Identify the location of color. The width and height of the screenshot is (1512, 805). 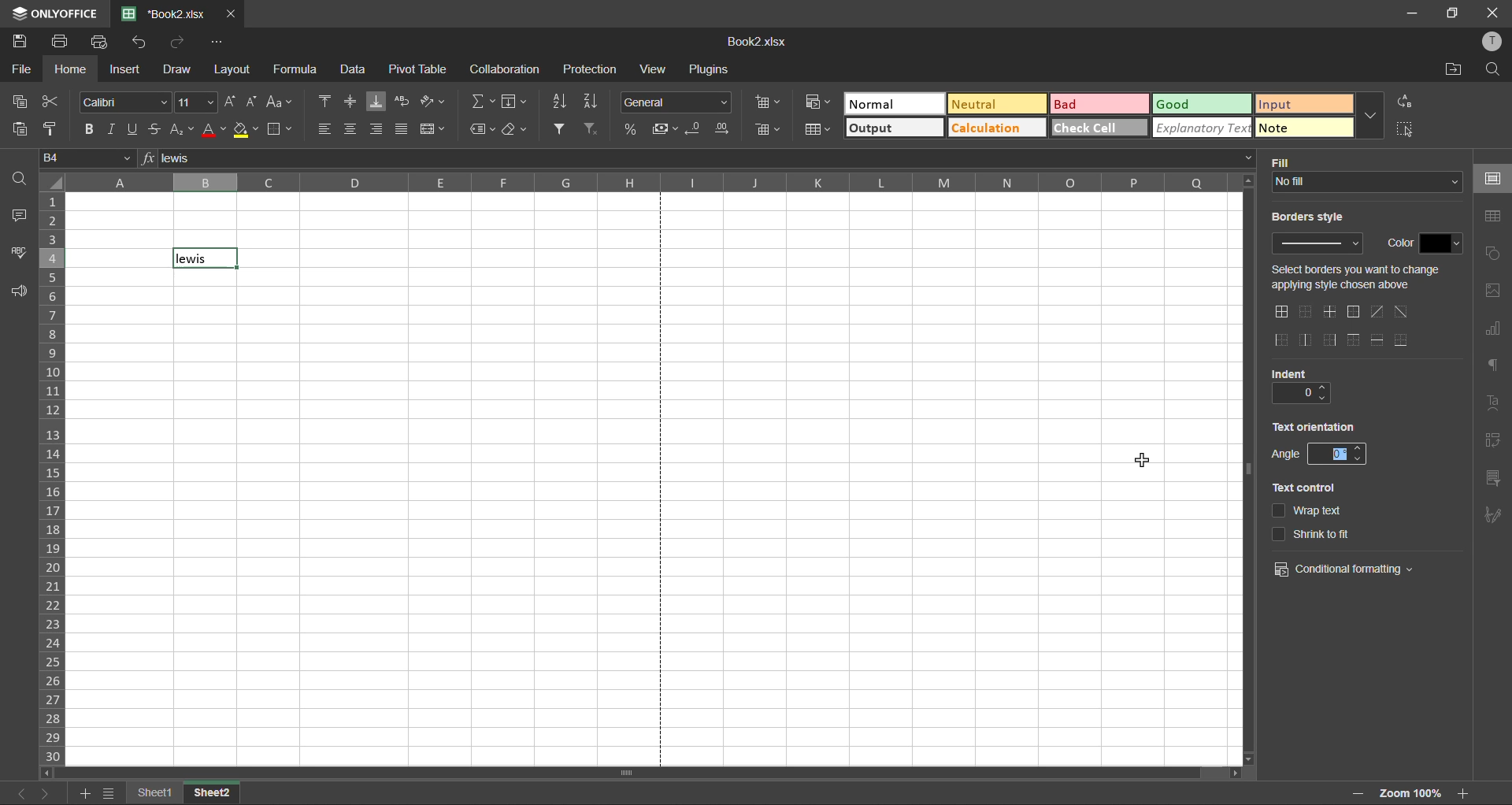
(1397, 243).